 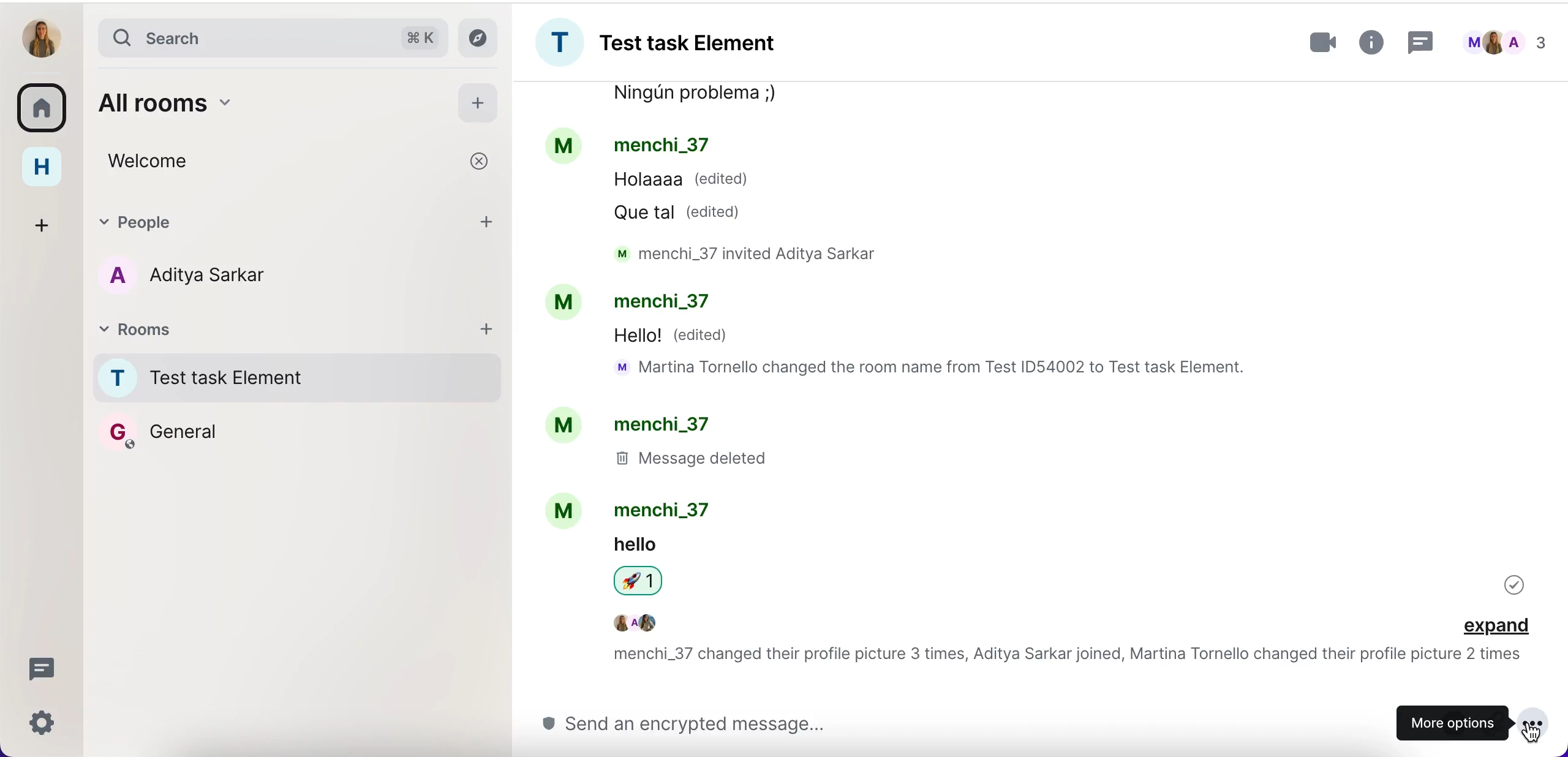 What do you see at coordinates (43, 107) in the screenshot?
I see `rooms` at bounding box center [43, 107].